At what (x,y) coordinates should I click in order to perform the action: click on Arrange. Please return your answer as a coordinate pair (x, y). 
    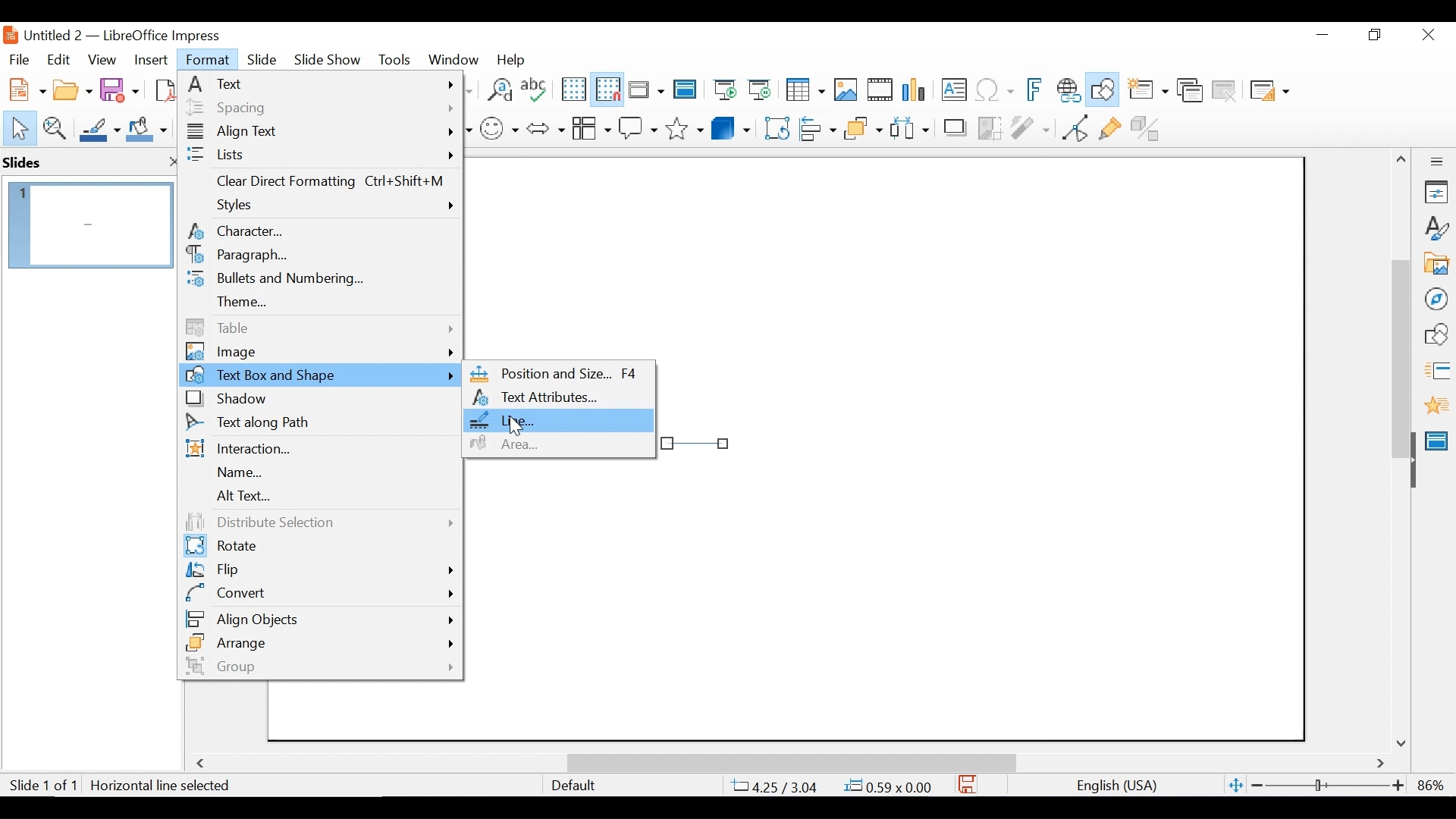
    Looking at the image, I should click on (861, 127).